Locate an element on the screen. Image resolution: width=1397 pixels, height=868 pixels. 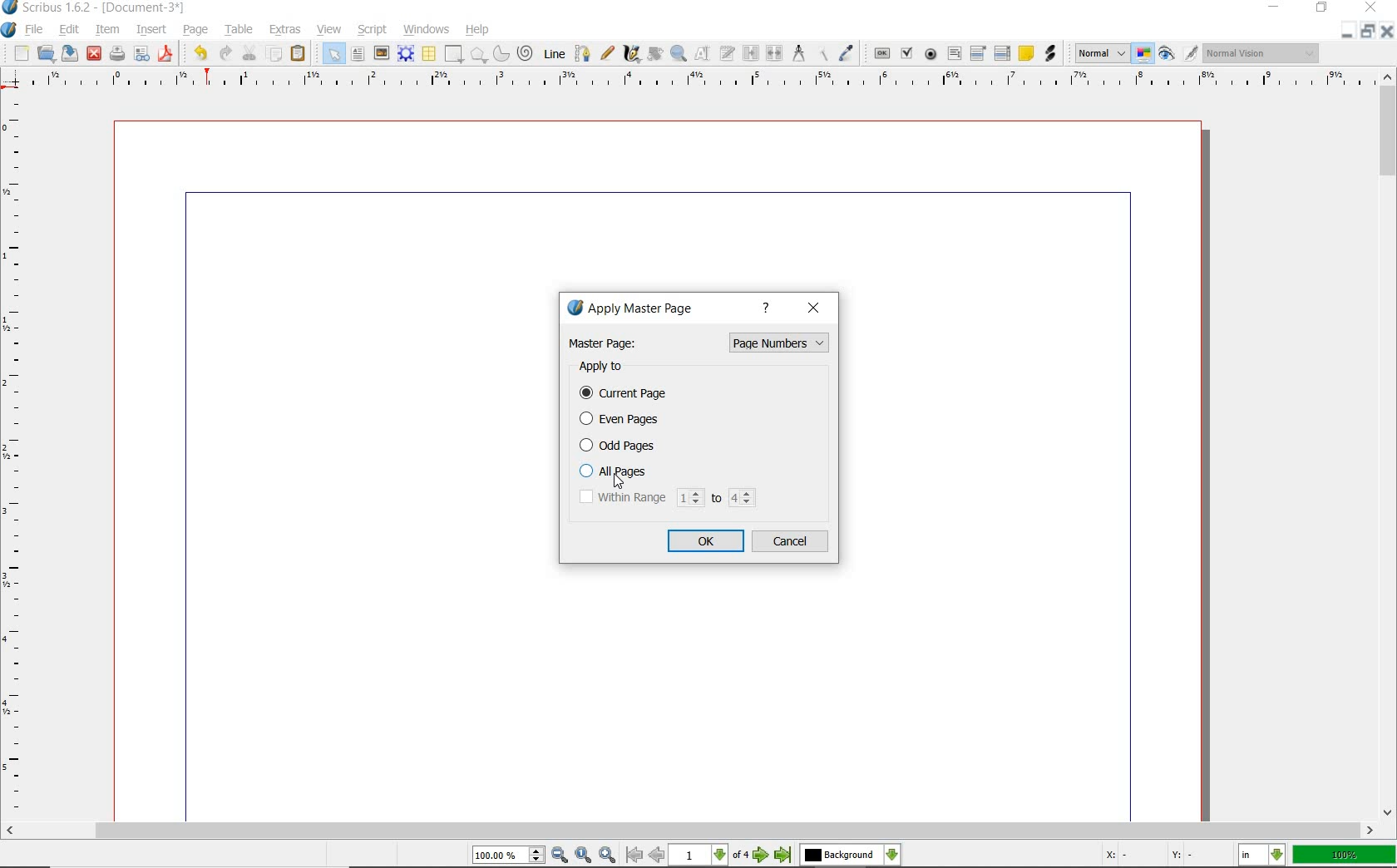
extras is located at coordinates (284, 27).